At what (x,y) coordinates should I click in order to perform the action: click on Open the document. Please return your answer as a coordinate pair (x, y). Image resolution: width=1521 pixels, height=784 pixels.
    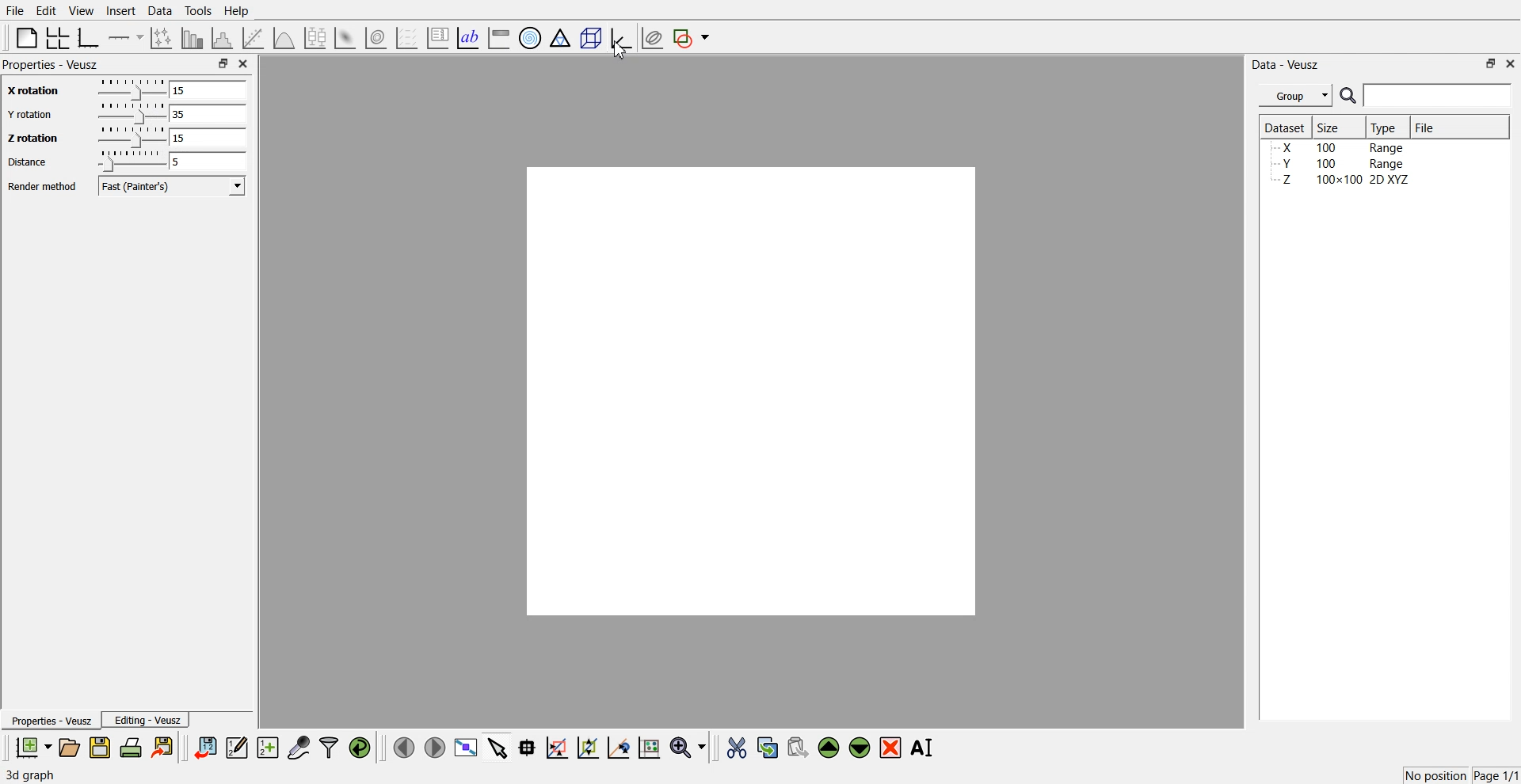
    Looking at the image, I should click on (68, 748).